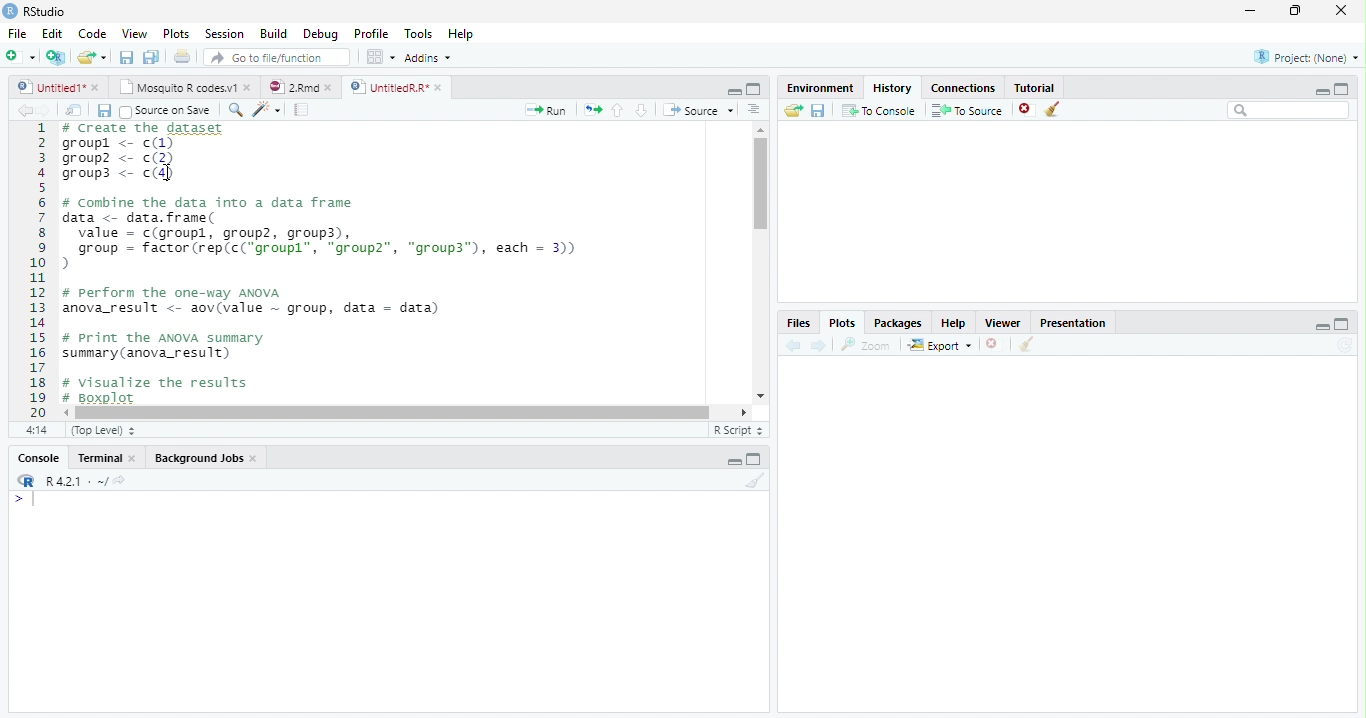 The width and height of the screenshot is (1366, 718). I want to click on Show in new window, so click(77, 110).